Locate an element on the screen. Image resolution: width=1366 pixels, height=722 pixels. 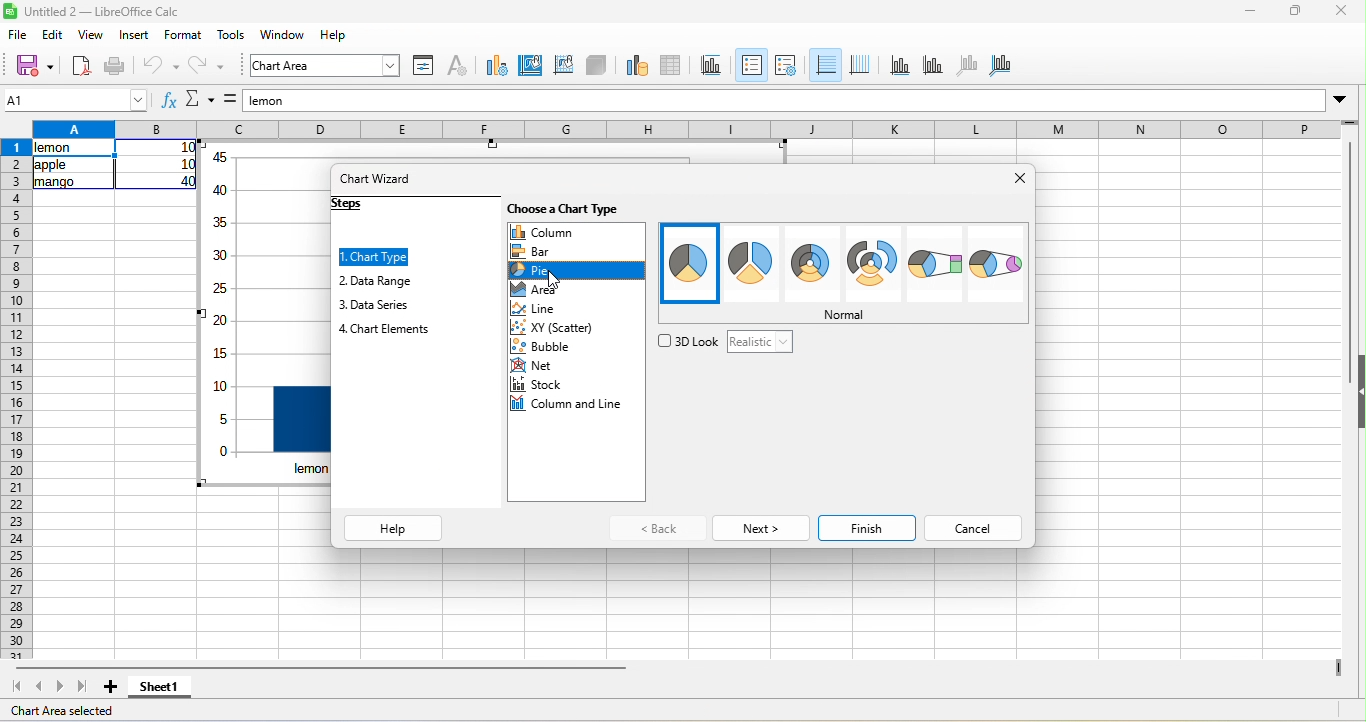
formula is located at coordinates (230, 102).